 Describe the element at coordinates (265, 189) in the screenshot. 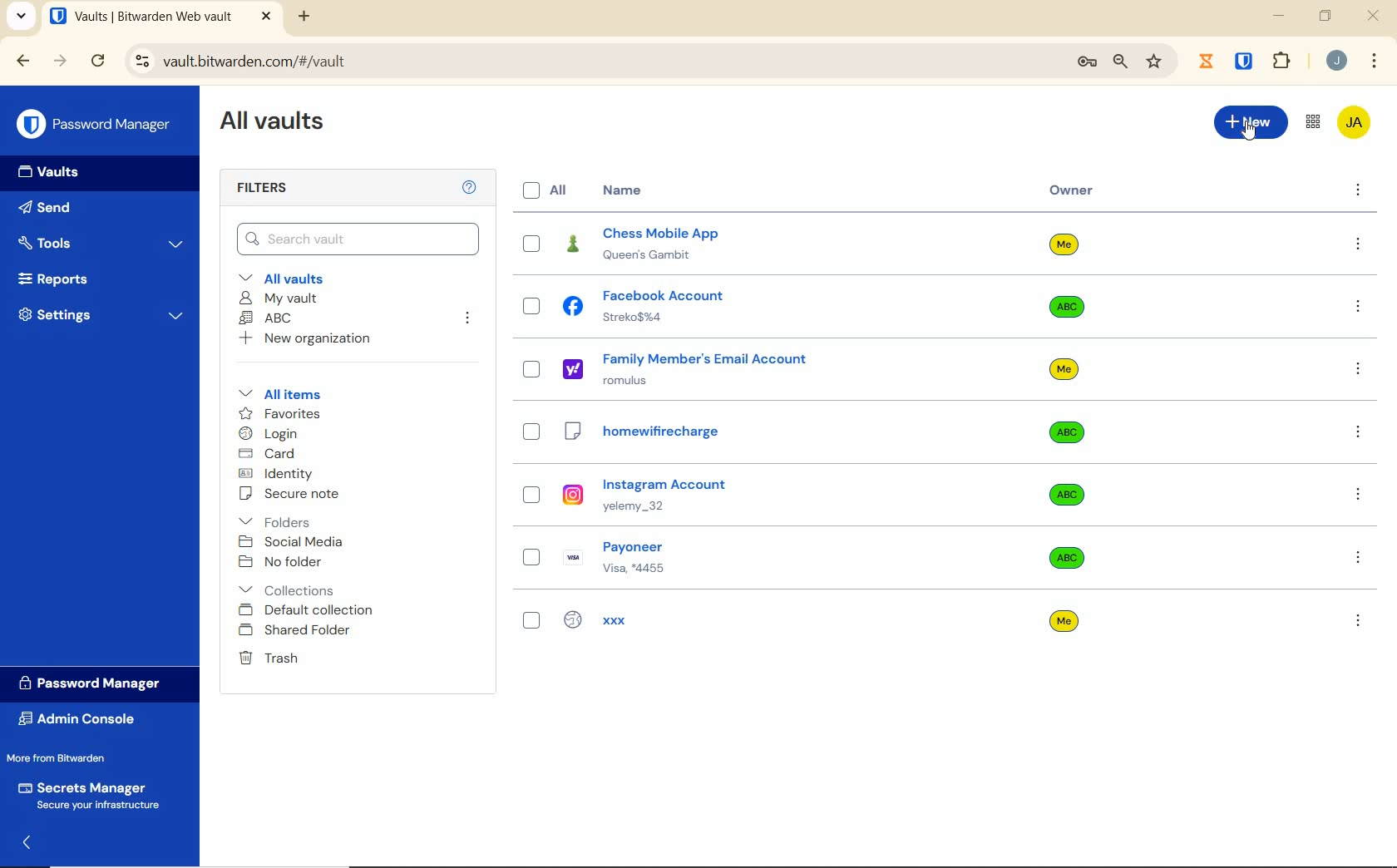

I see `Filters` at that location.